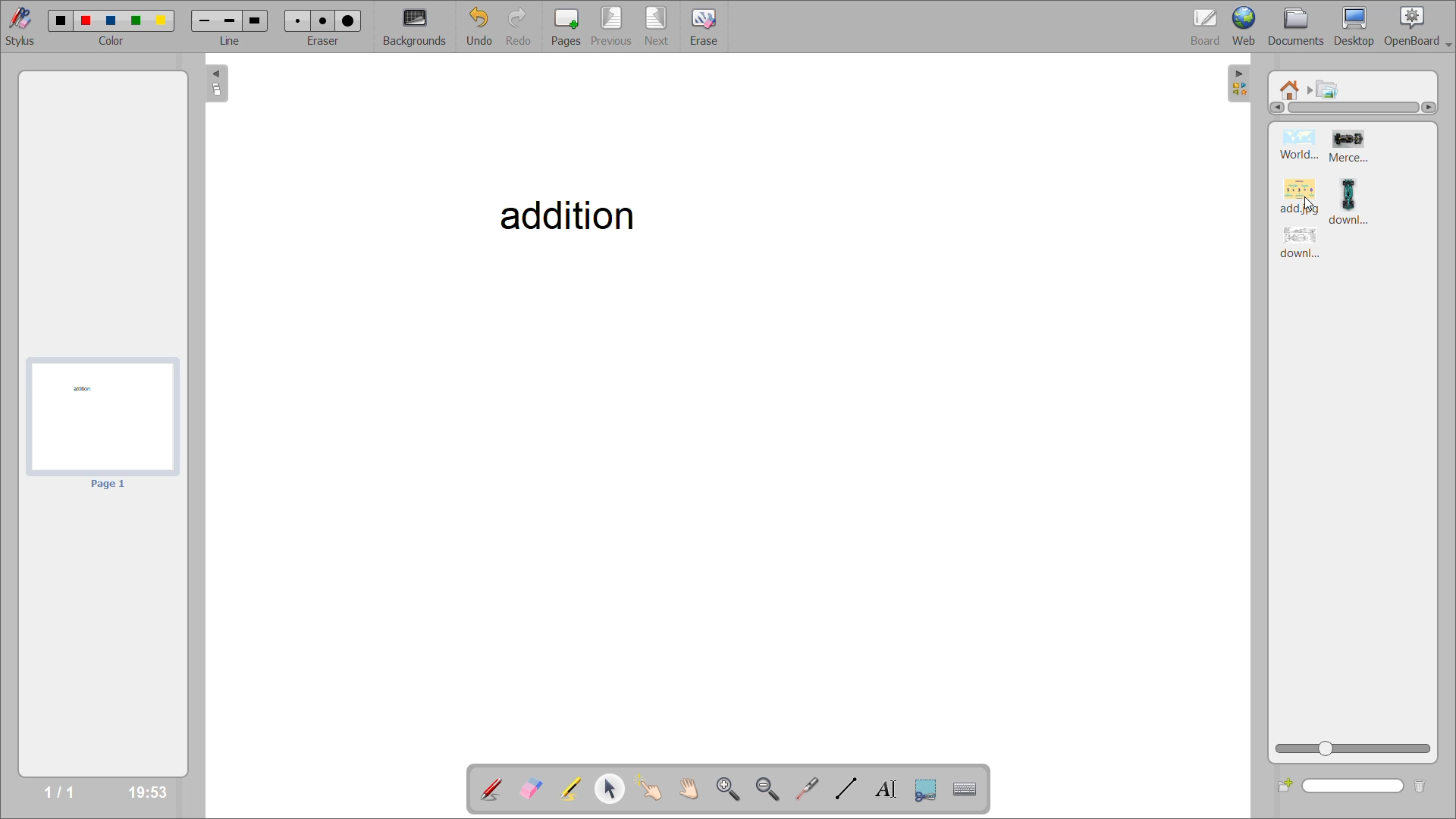  Describe the element at coordinates (1355, 787) in the screenshot. I see `search` at that location.